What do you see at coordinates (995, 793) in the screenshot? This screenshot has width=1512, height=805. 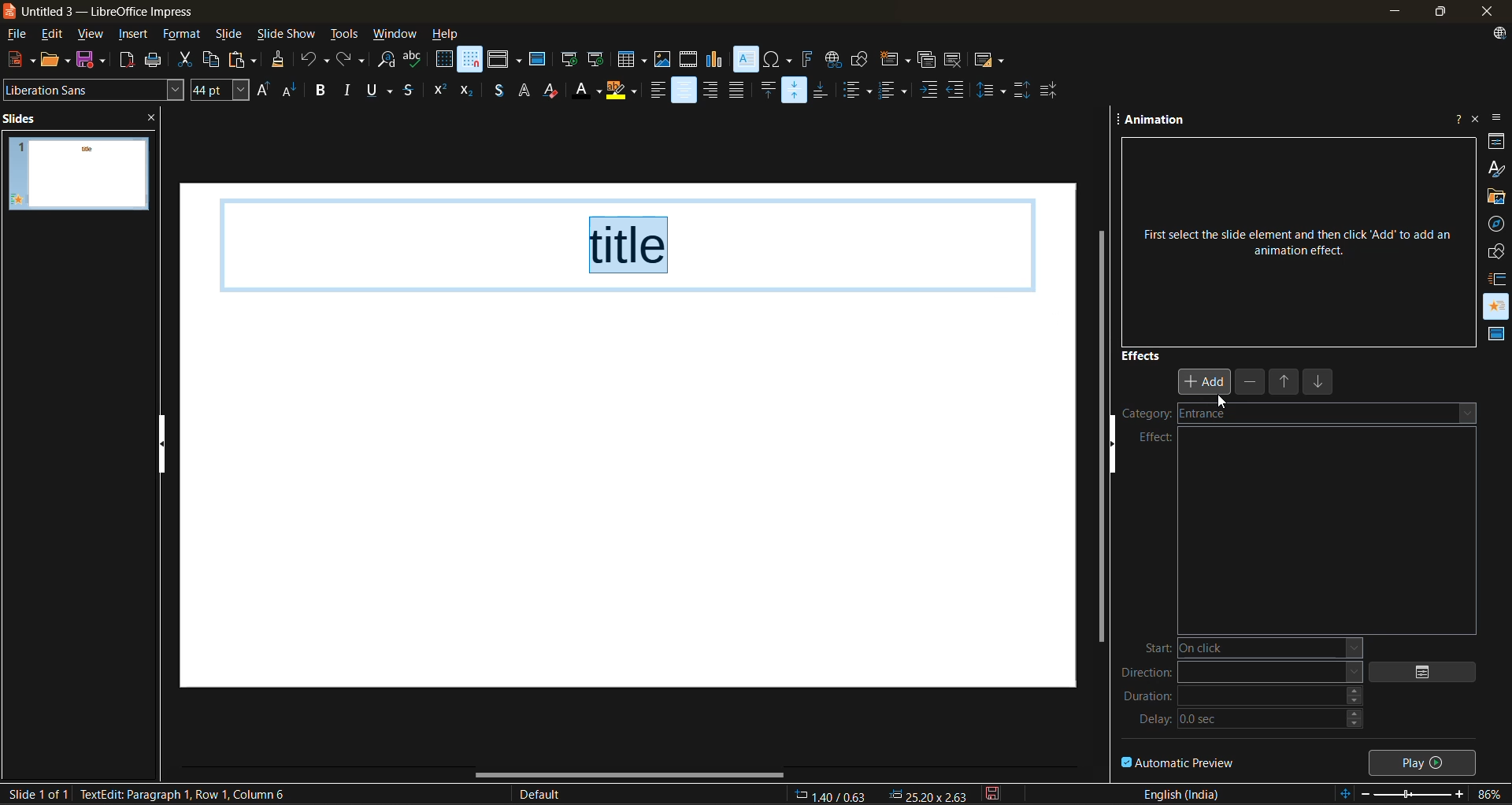 I see `click to save` at bounding box center [995, 793].